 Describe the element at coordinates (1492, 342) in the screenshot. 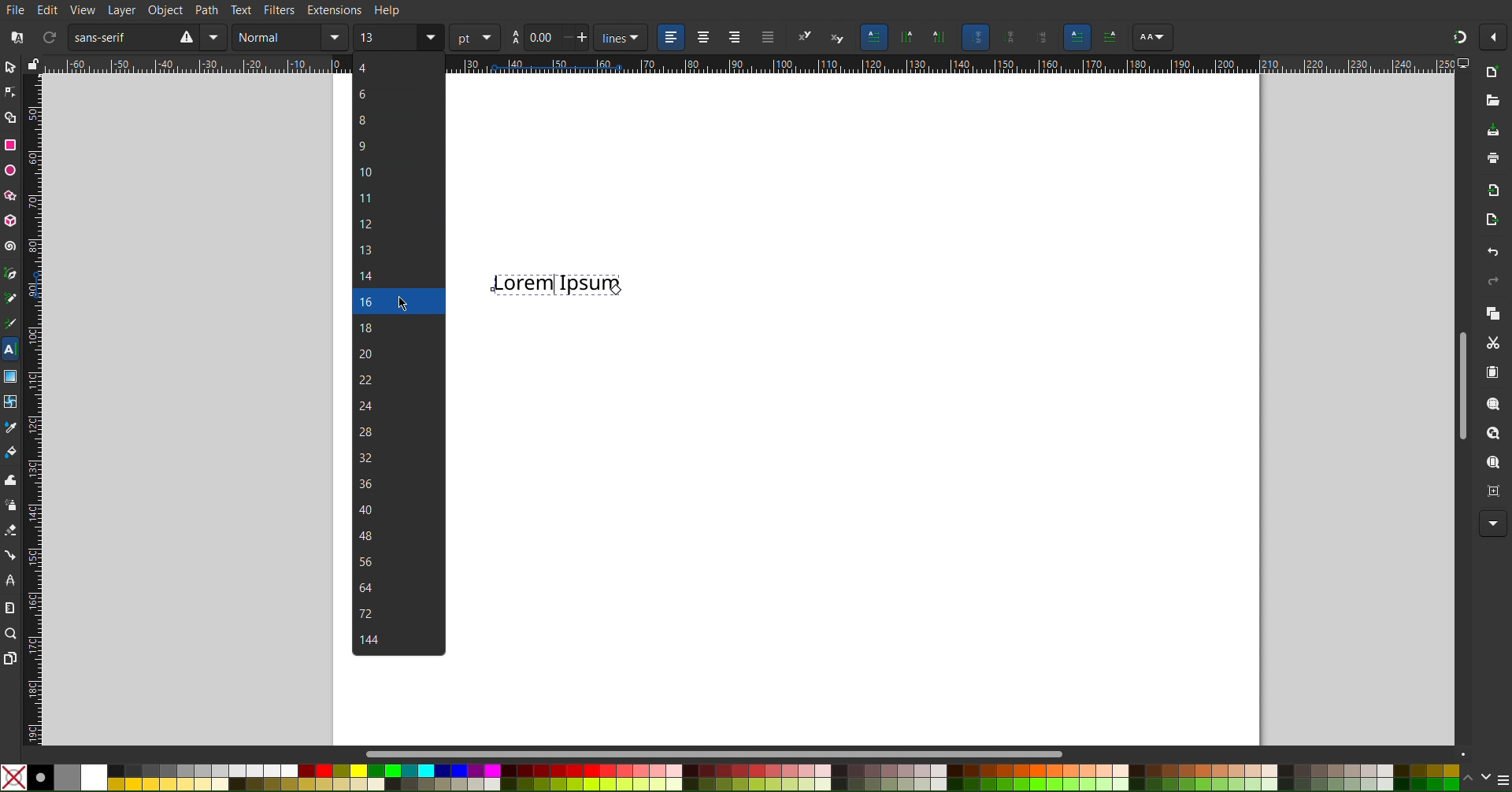

I see `Cut` at that location.